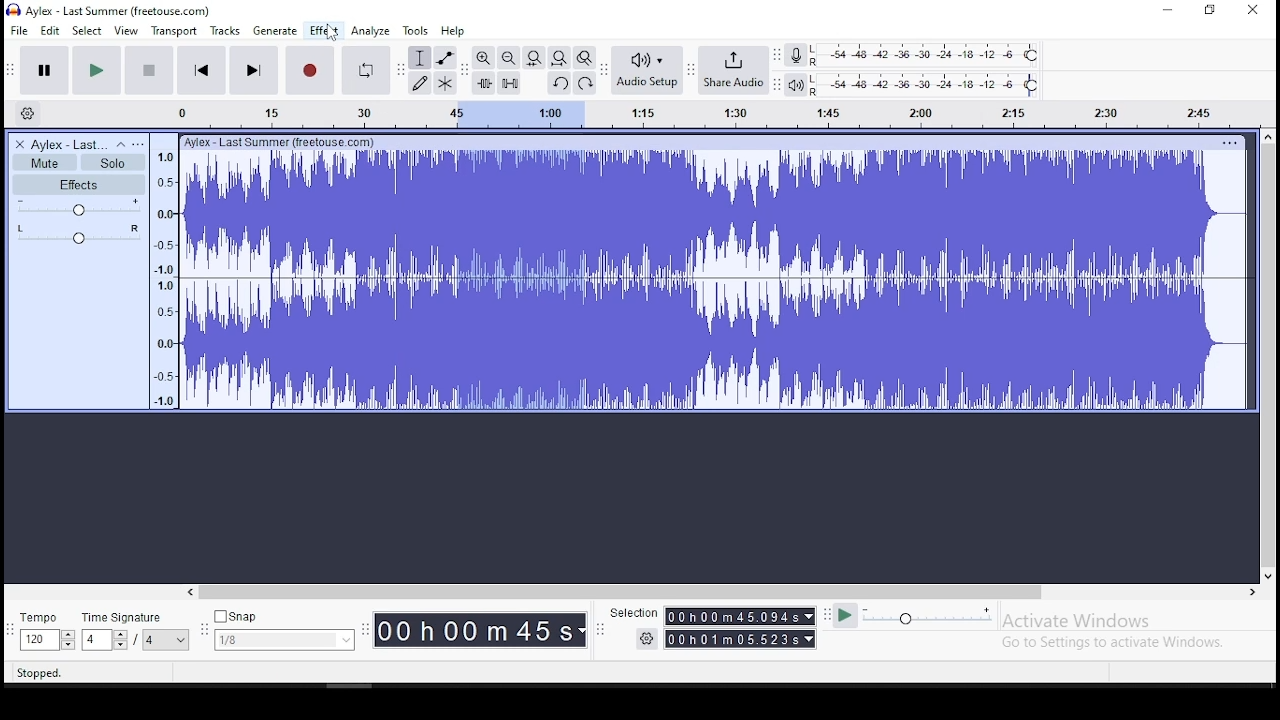 The height and width of the screenshot is (720, 1280). Describe the element at coordinates (1268, 354) in the screenshot. I see `scroll bar` at that location.